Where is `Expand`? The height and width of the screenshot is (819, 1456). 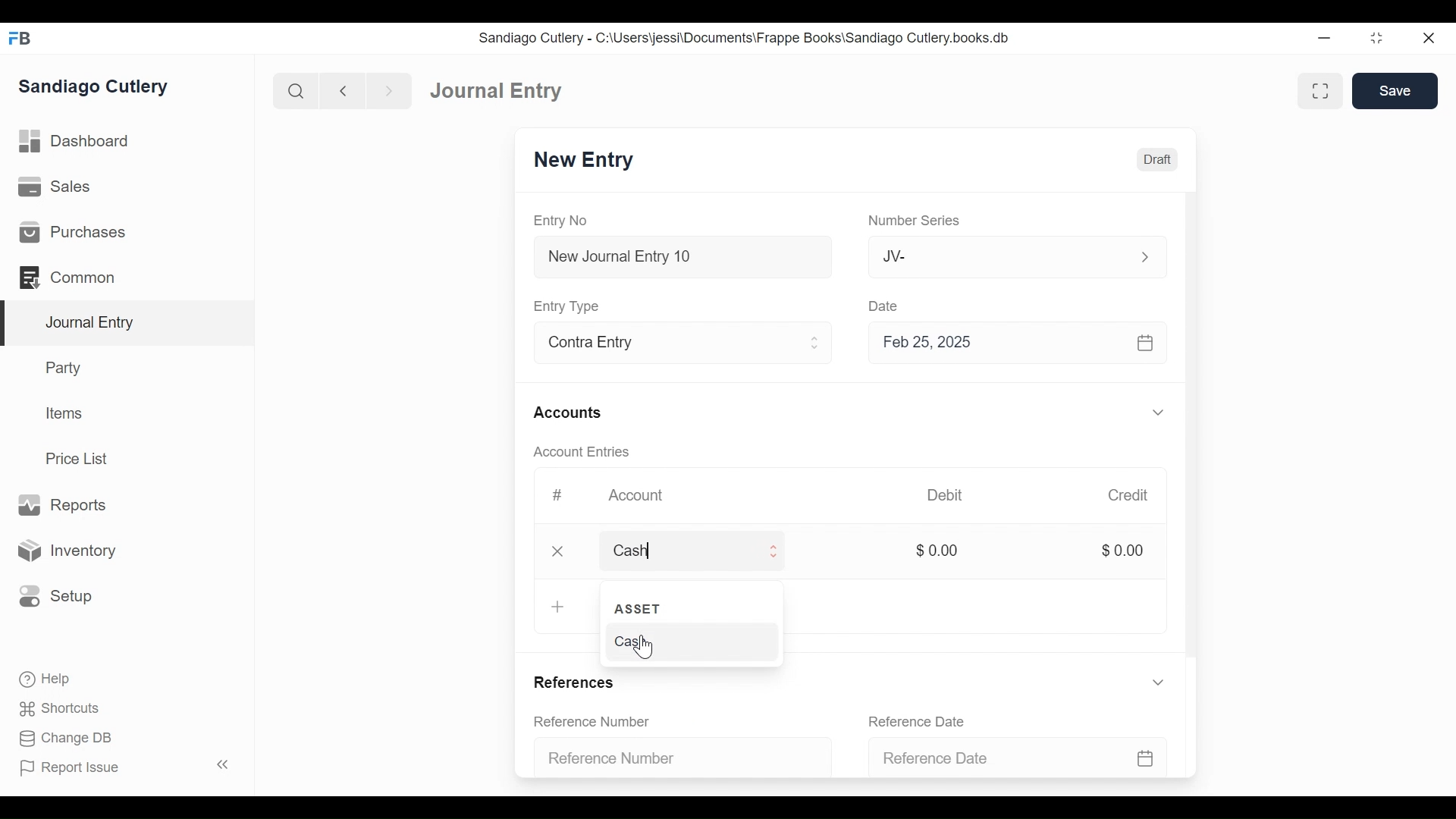 Expand is located at coordinates (1158, 413).